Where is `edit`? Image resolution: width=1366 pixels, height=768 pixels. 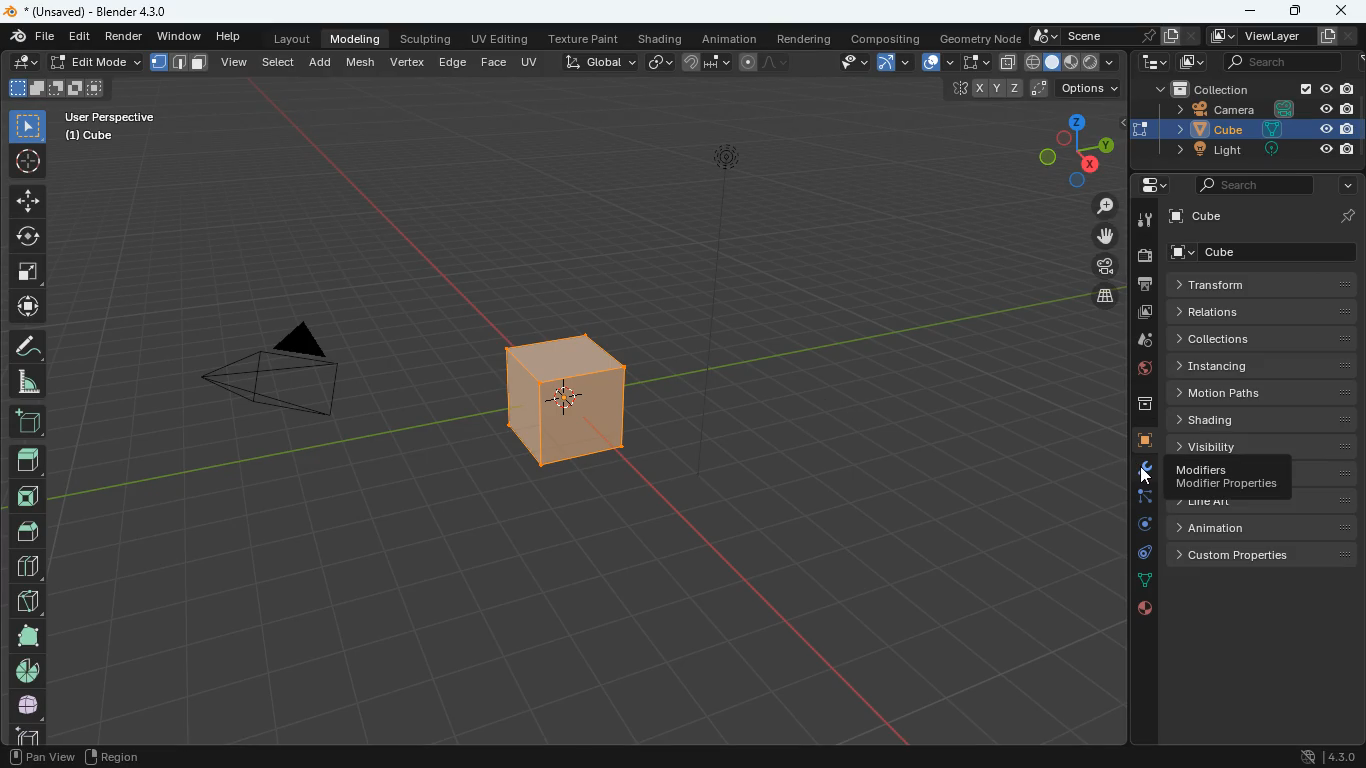 edit is located at coordinates (82, 37).